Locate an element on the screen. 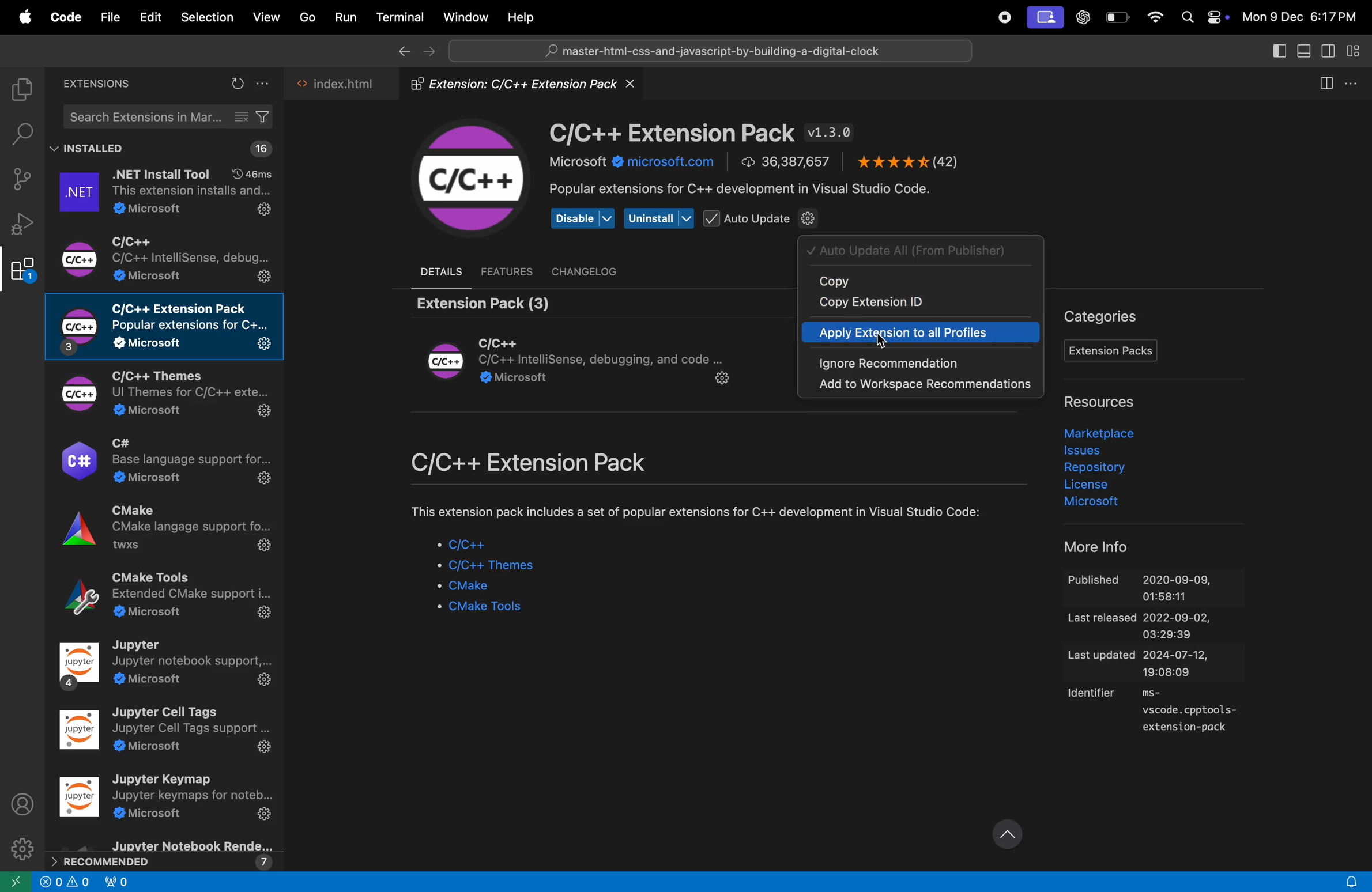 The height and width of the screenshot is (892, 1372). search extensions is located at coordinates (168, 116).